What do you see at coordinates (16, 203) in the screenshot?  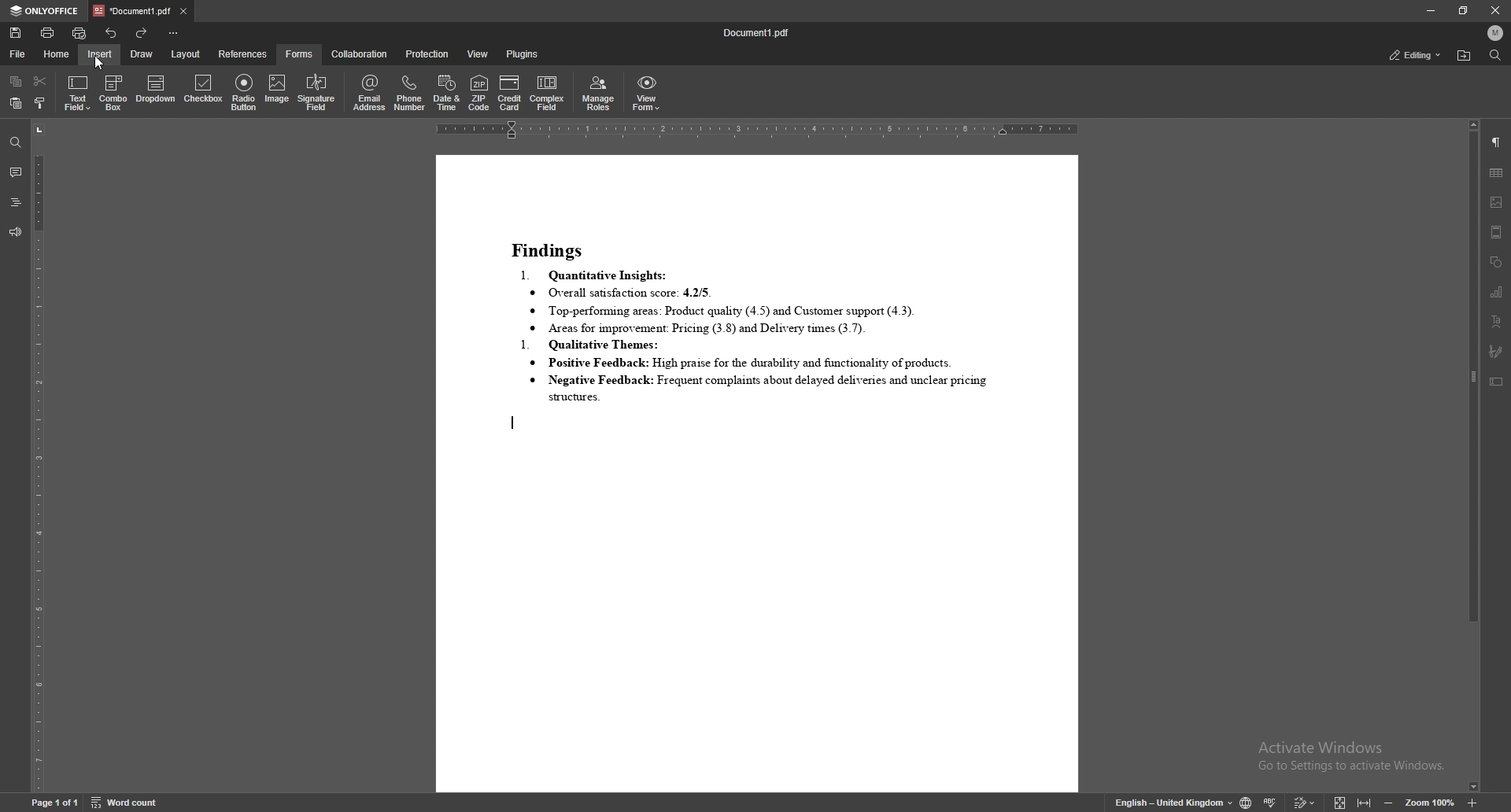 I see `headings` at bounding box center [16, 203].